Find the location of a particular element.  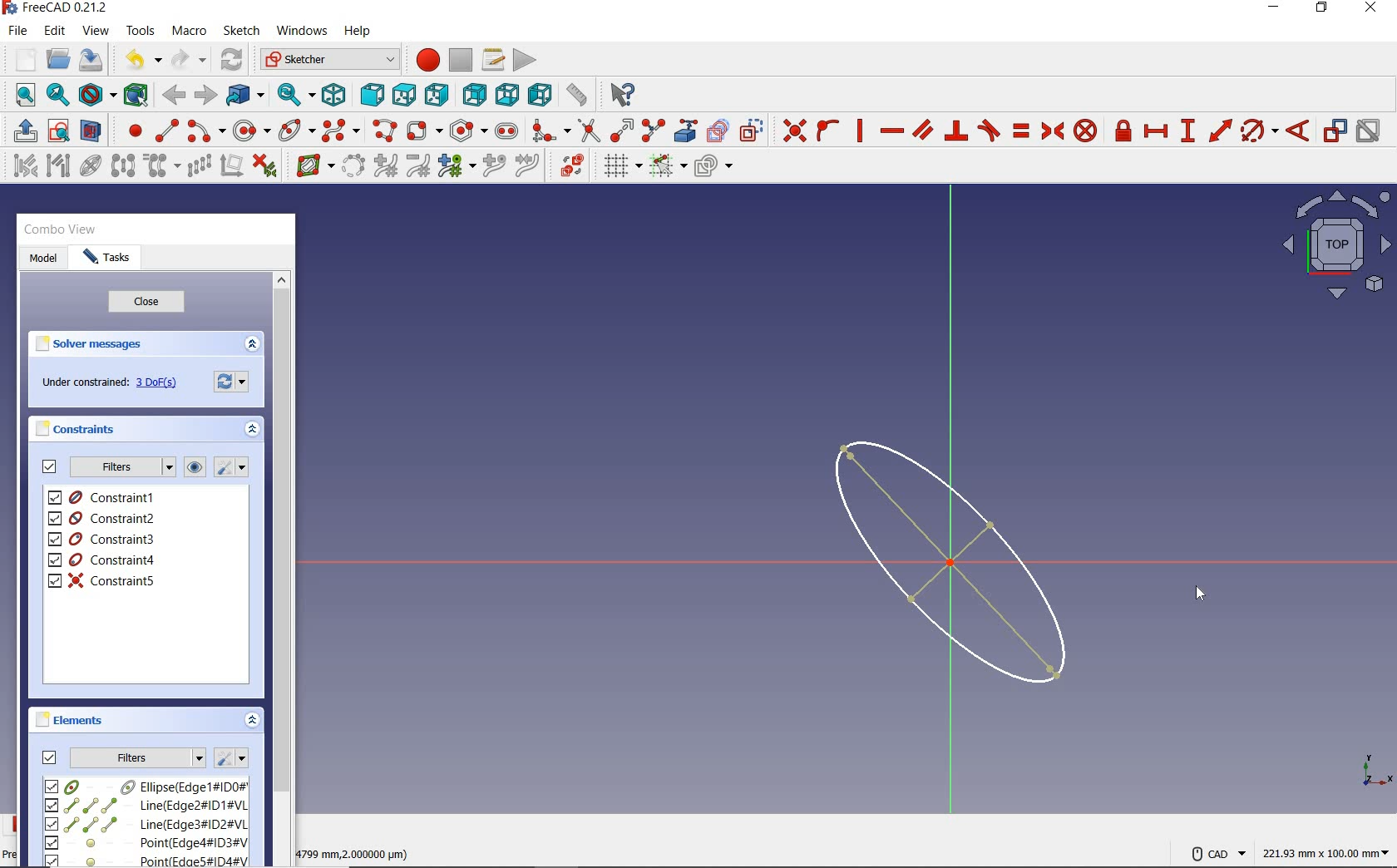

sync view is located at coordinates (297, 95).